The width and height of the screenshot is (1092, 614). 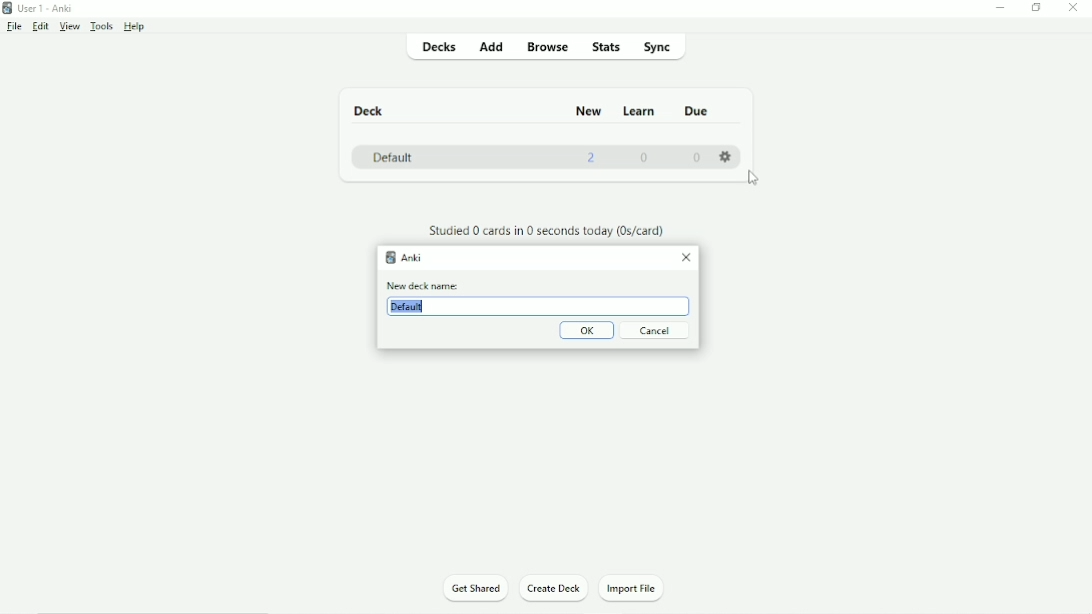 What do you see at coordinates (549, 46) in the screenshot?
I see `Browse` at bounding box center [549, 46].